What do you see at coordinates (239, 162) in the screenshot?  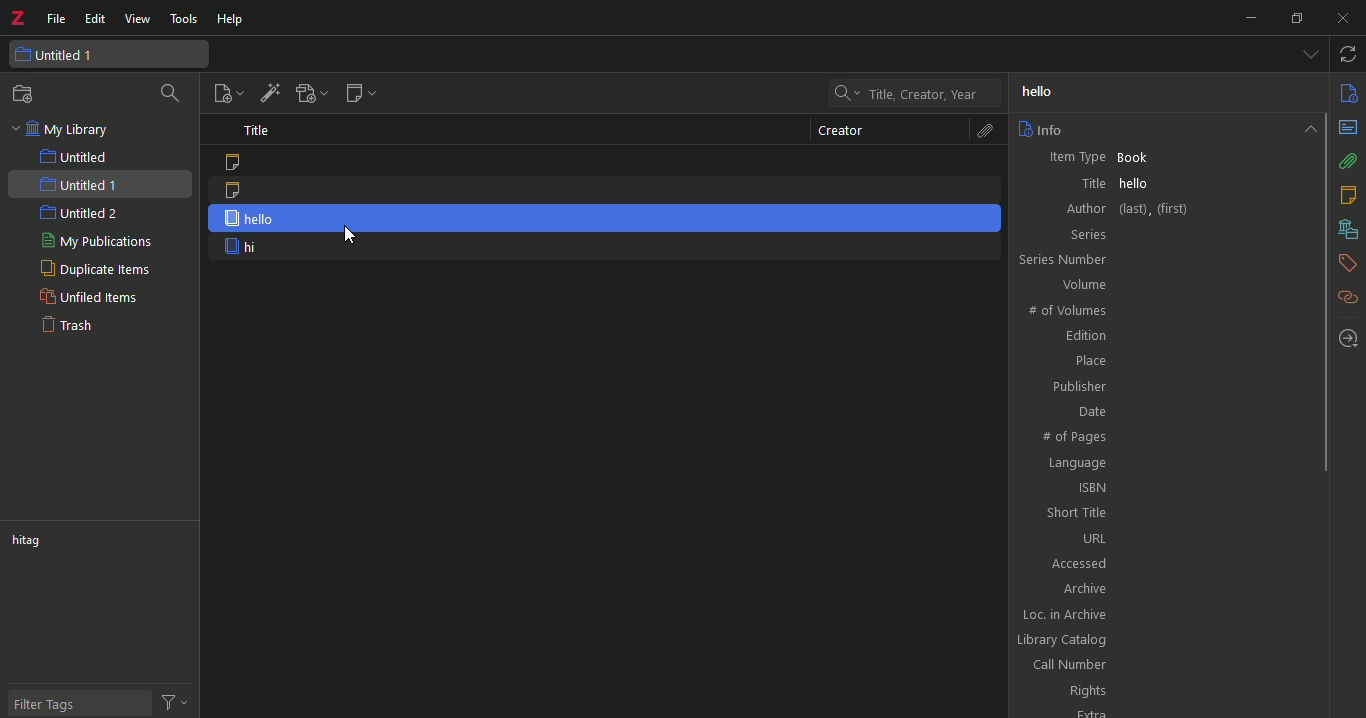 I see `note` at bounding box center [239, 162].